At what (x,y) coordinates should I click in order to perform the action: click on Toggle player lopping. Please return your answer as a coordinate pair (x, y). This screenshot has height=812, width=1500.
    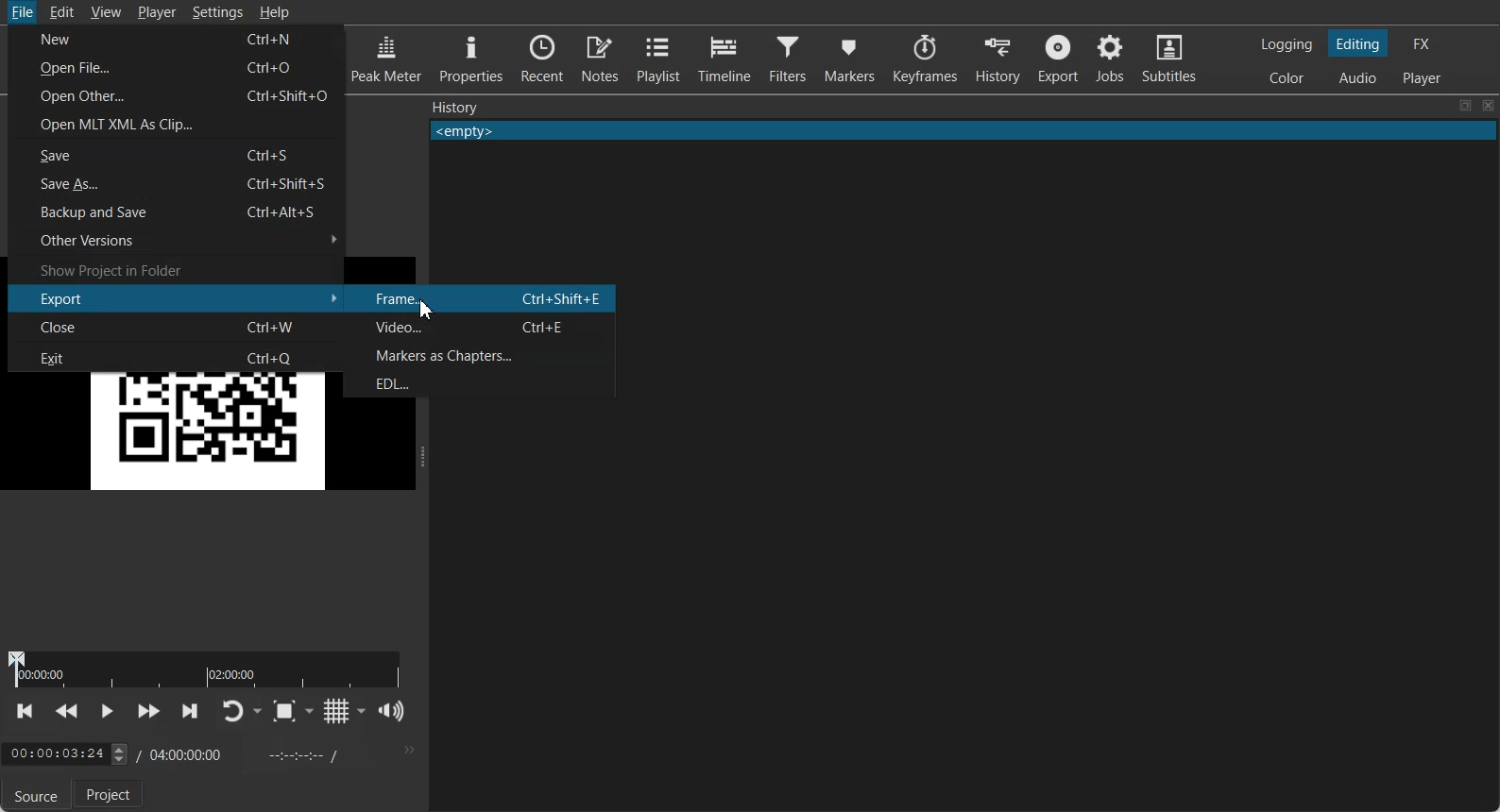
    Looking at the image, I should click on (231, 711).